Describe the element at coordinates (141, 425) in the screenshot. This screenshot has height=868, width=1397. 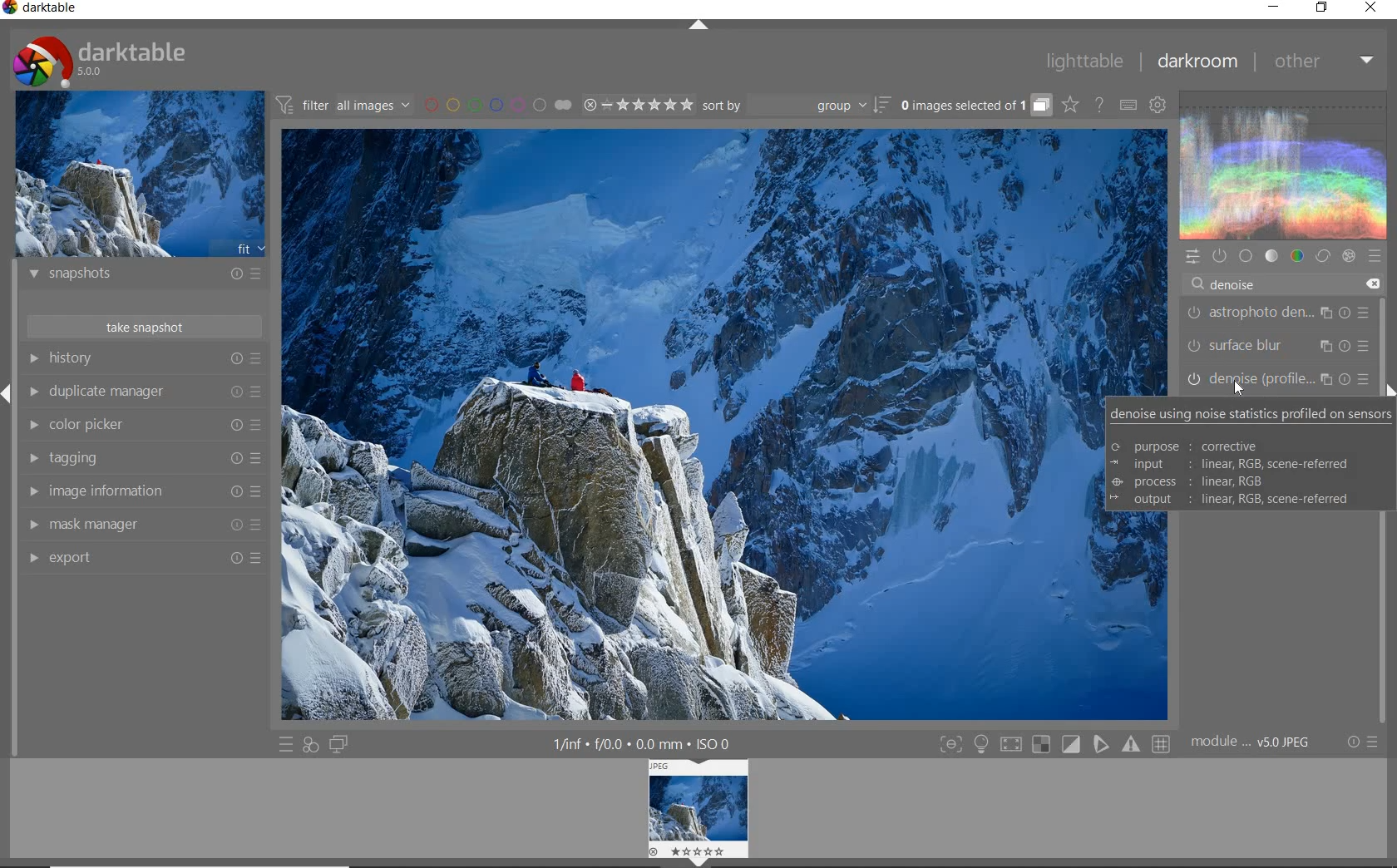
I see `color picker` at that location.